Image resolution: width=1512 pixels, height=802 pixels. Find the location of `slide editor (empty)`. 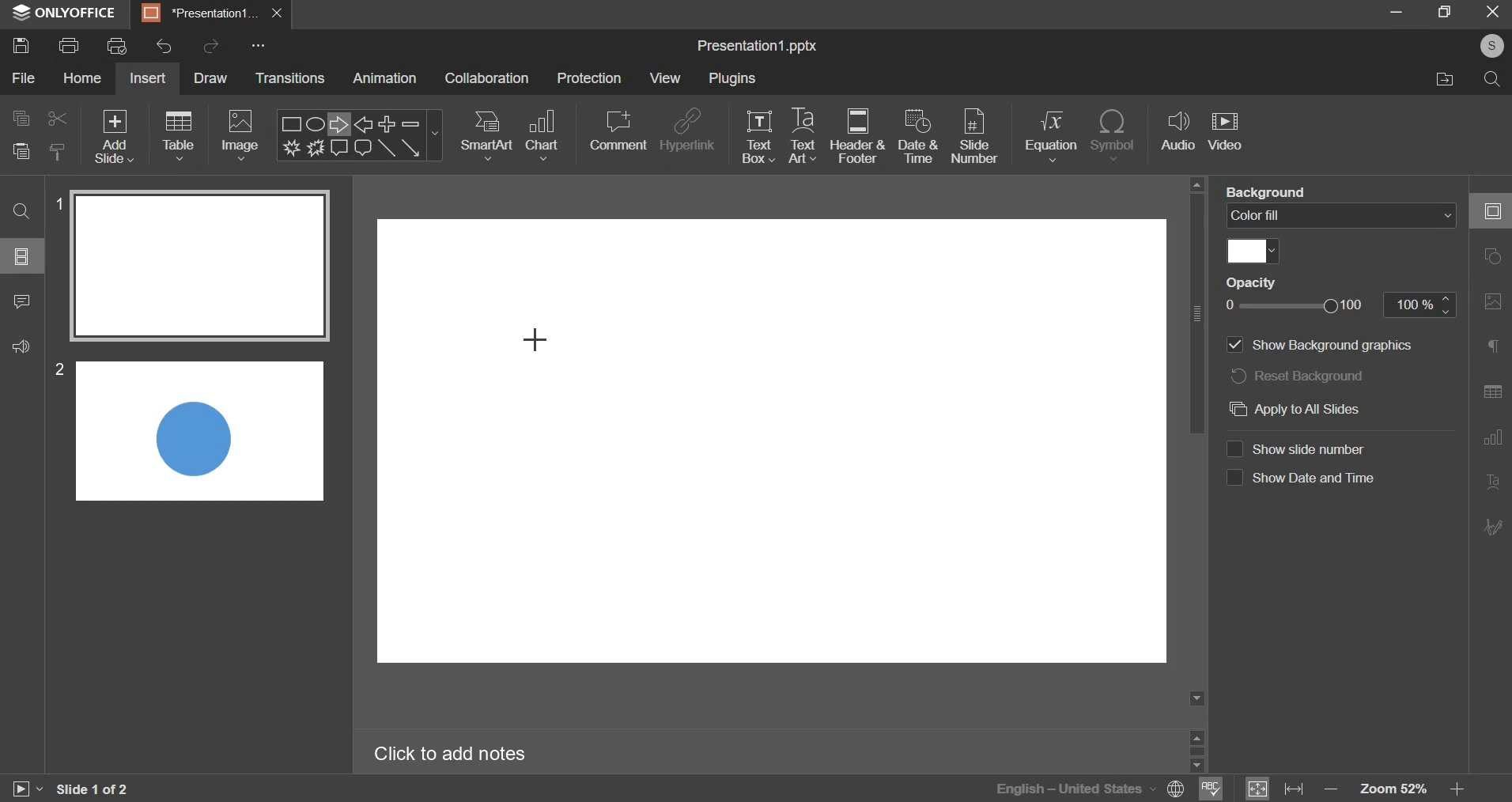

slide editor (empty) is located at coordinates (773, 440).